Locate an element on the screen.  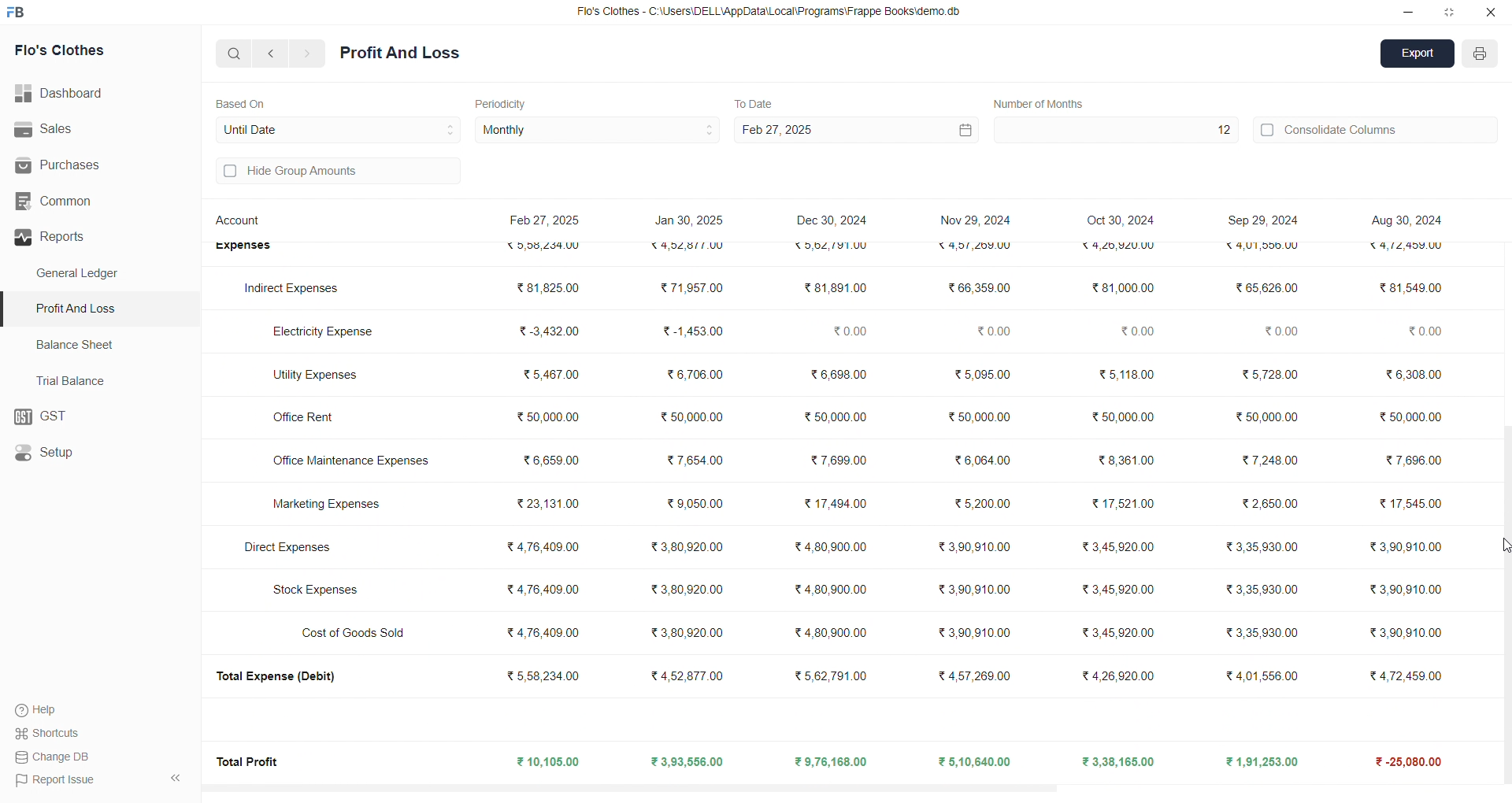
₹3,90,910.00 is located at coordinates (1400, 590).